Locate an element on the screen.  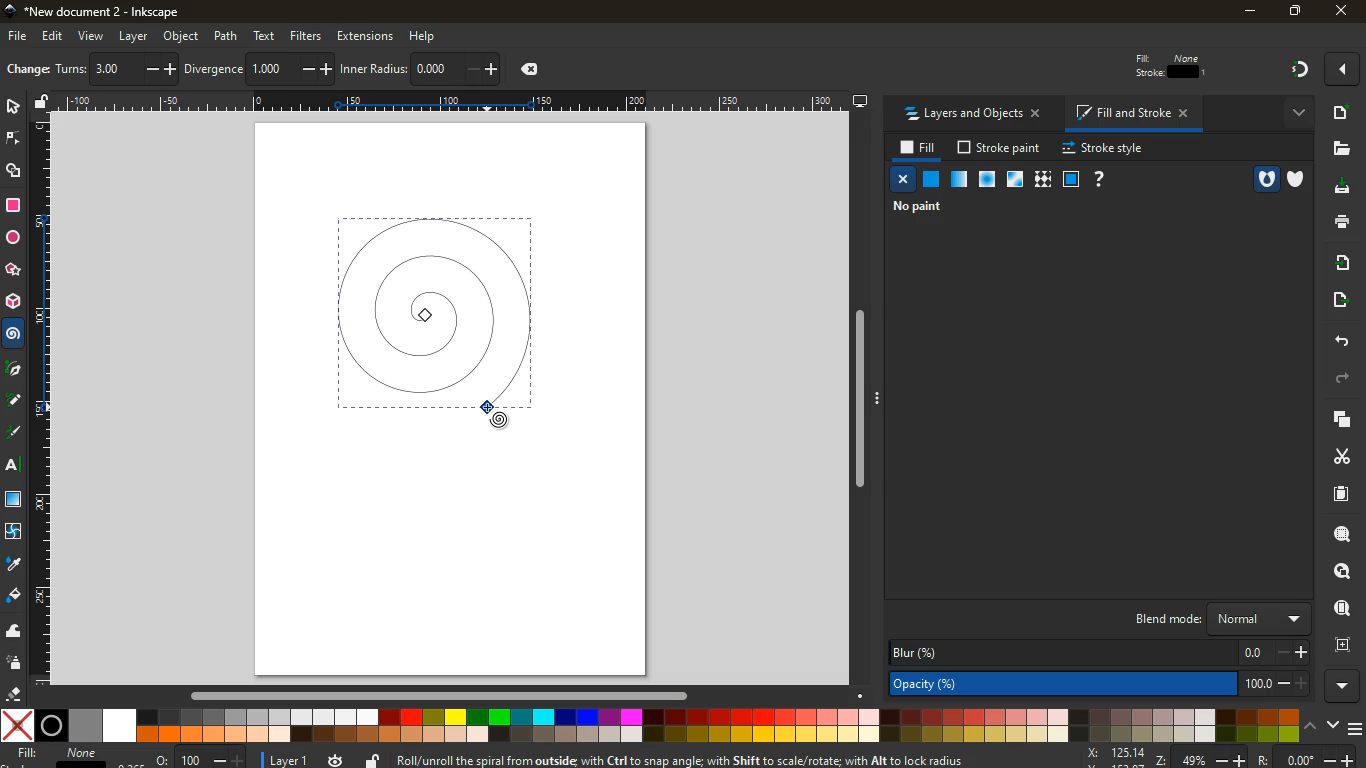
glass is located at coordinates (1017, 180).